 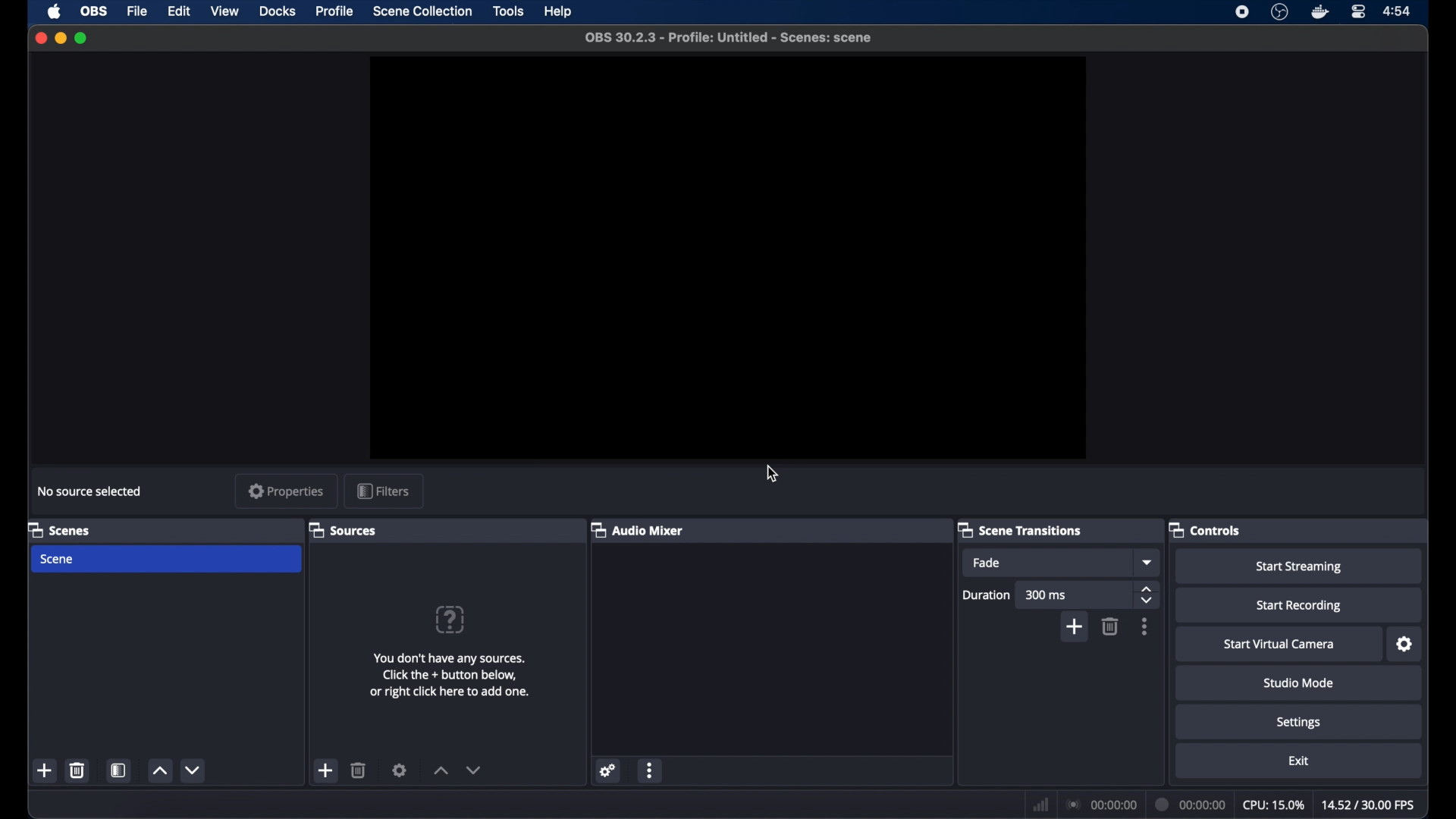 What do you see at coordinates (159, 770) in the screenshot?
I see `increment` at bounding box center [159, 770].